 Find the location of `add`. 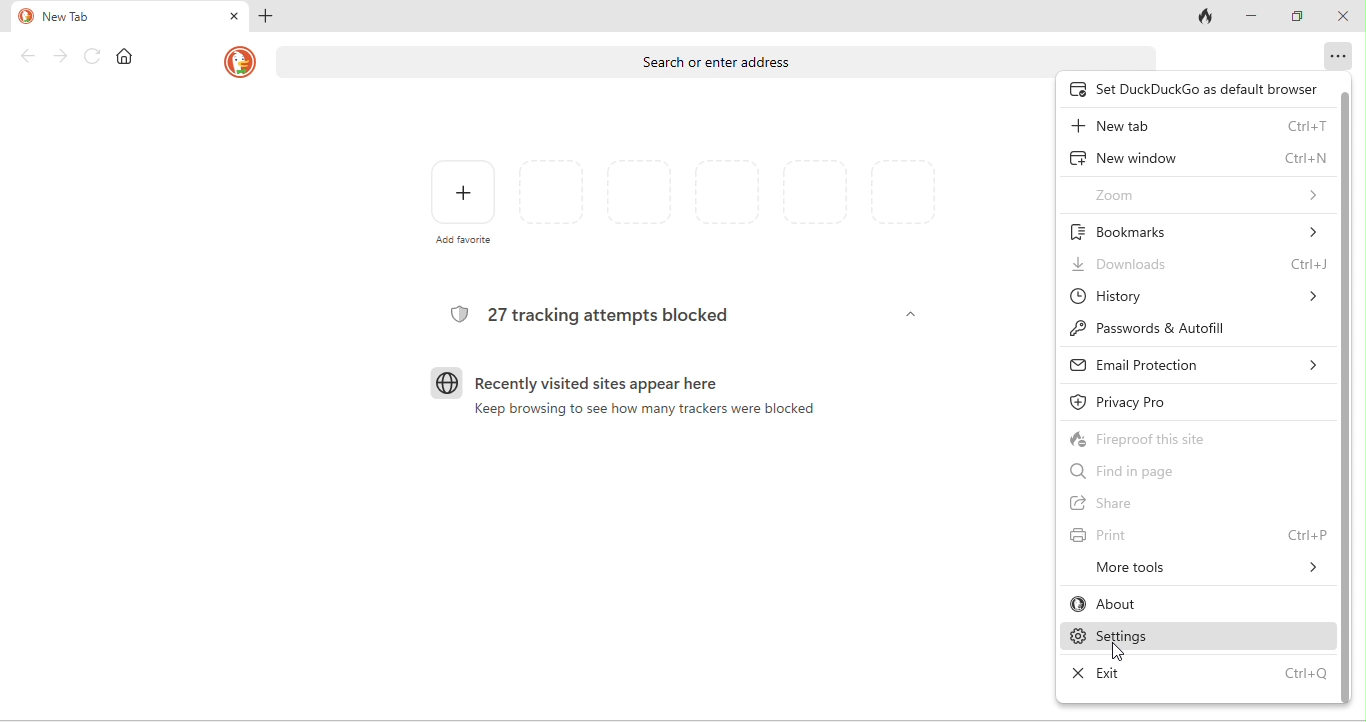

add is located at coordinates (263, 19).